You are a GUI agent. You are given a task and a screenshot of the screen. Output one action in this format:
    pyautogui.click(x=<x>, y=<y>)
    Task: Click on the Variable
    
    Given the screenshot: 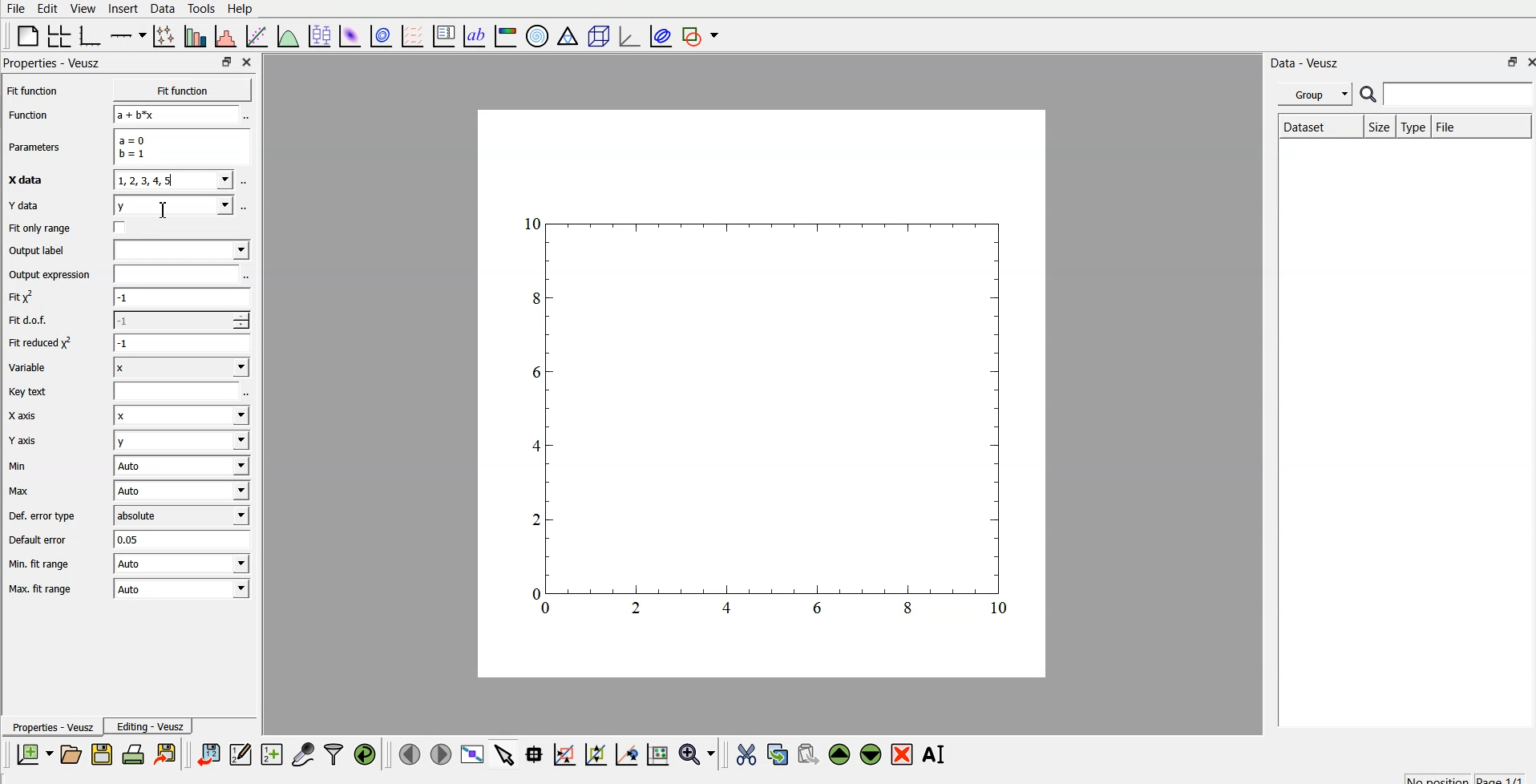 What is the action you would take?
    pyautogui.click(x=40, y=367)
    